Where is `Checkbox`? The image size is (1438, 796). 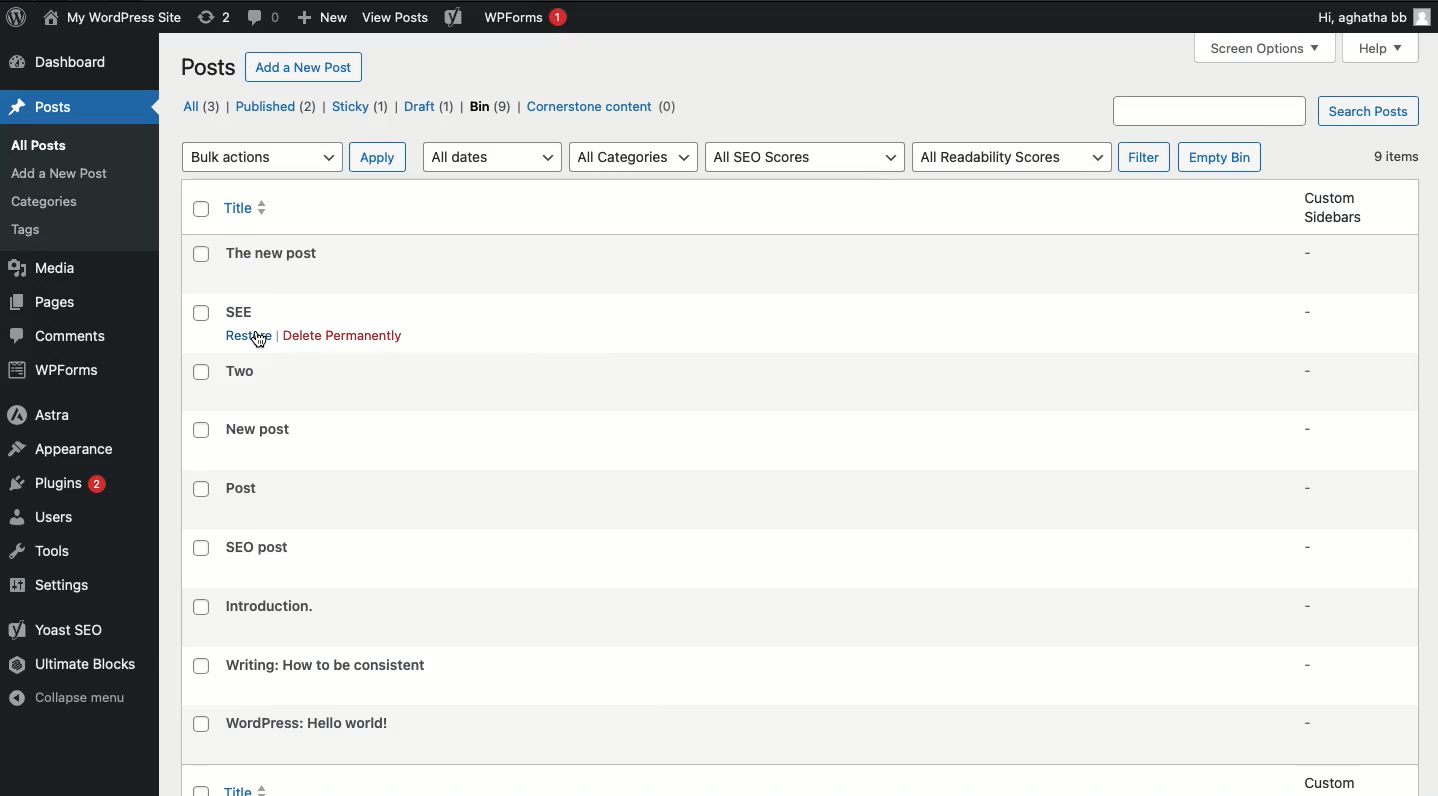 Checkbox is located at coordinates (202, 254).